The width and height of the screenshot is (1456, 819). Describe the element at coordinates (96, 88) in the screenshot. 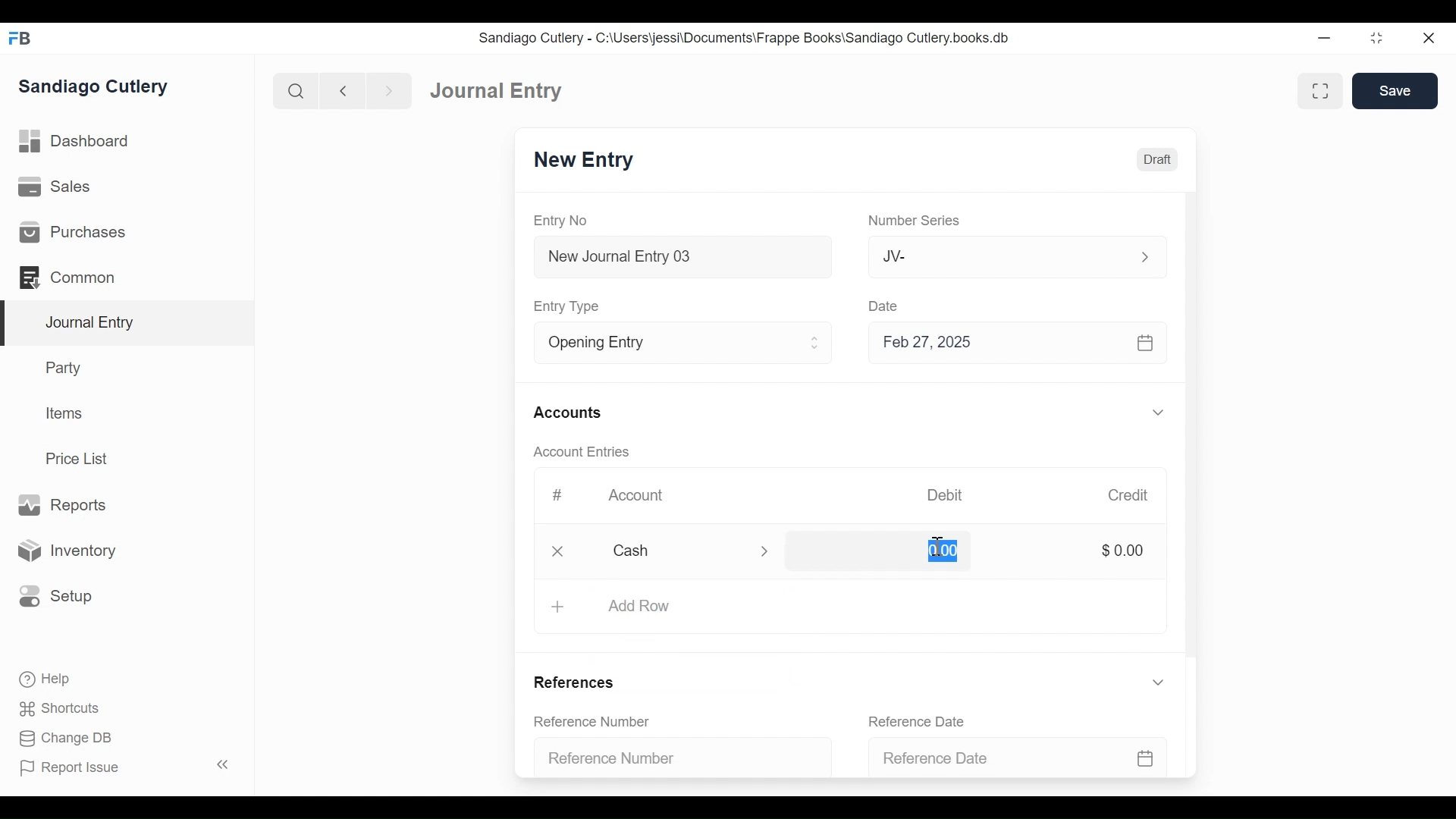

I see `Sandiago Cutlery` at that location.